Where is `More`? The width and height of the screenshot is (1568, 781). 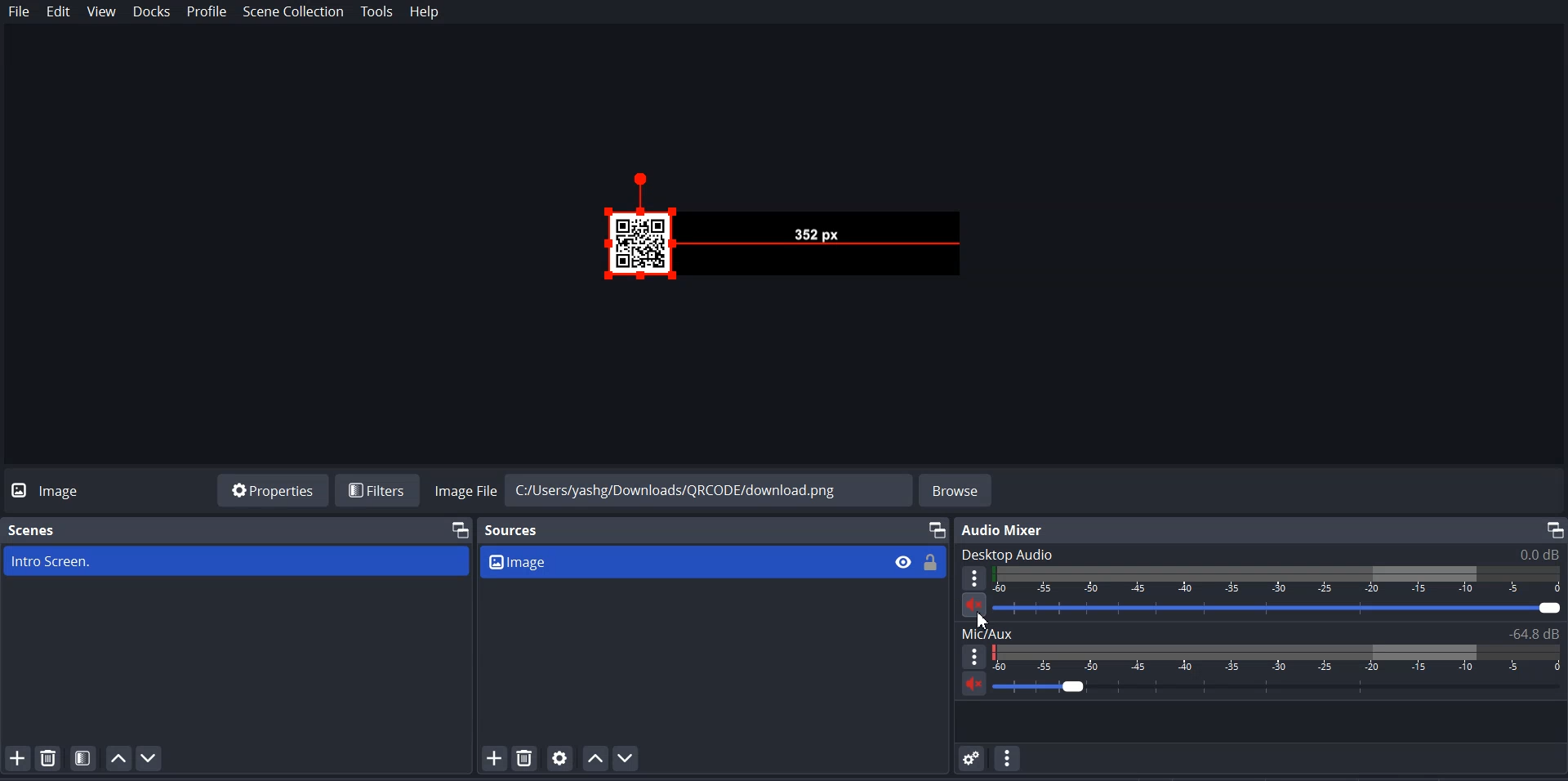
More is located at coordinates (974, 578).